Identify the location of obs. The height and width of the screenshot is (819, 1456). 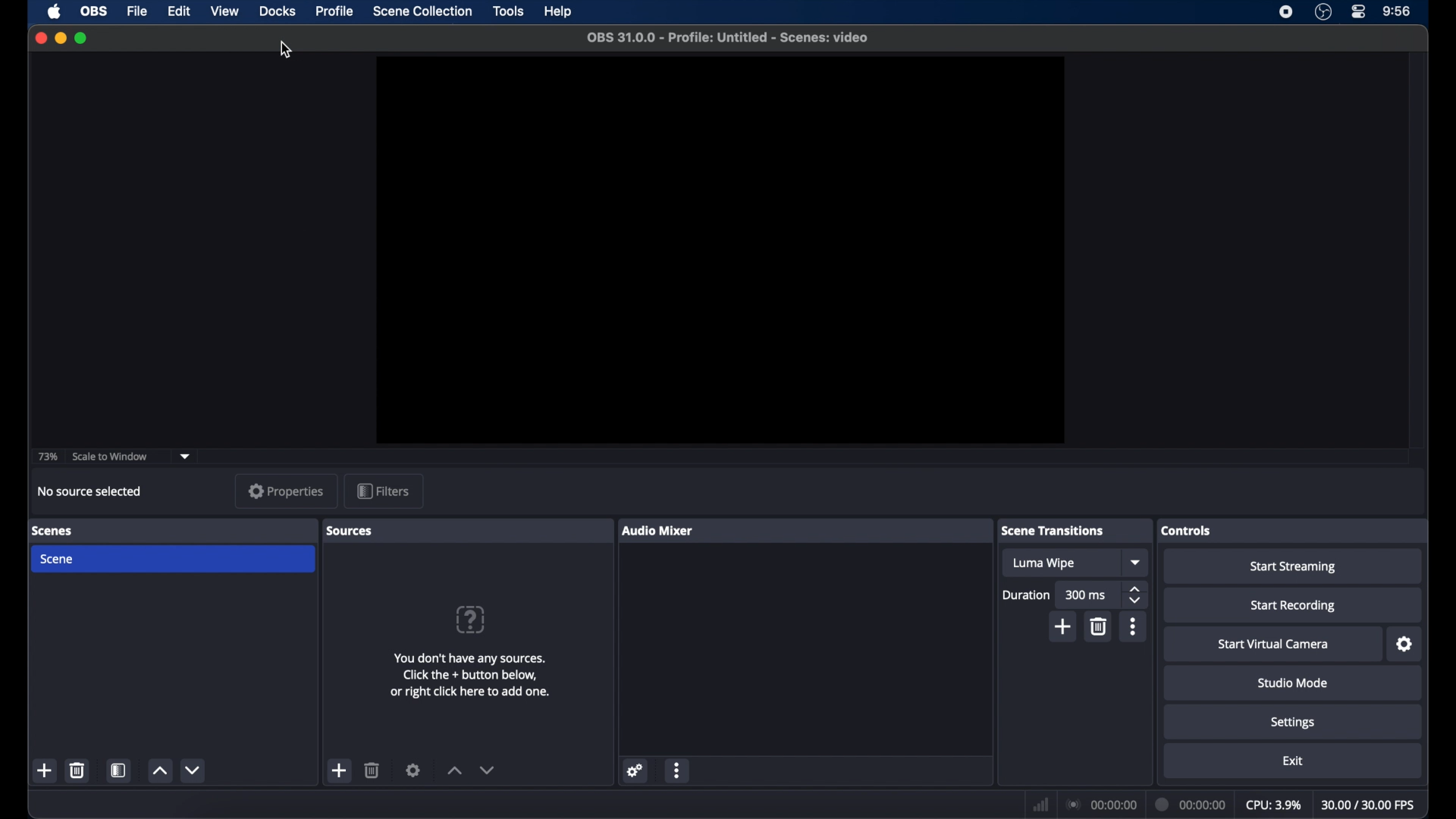
(94, 11).